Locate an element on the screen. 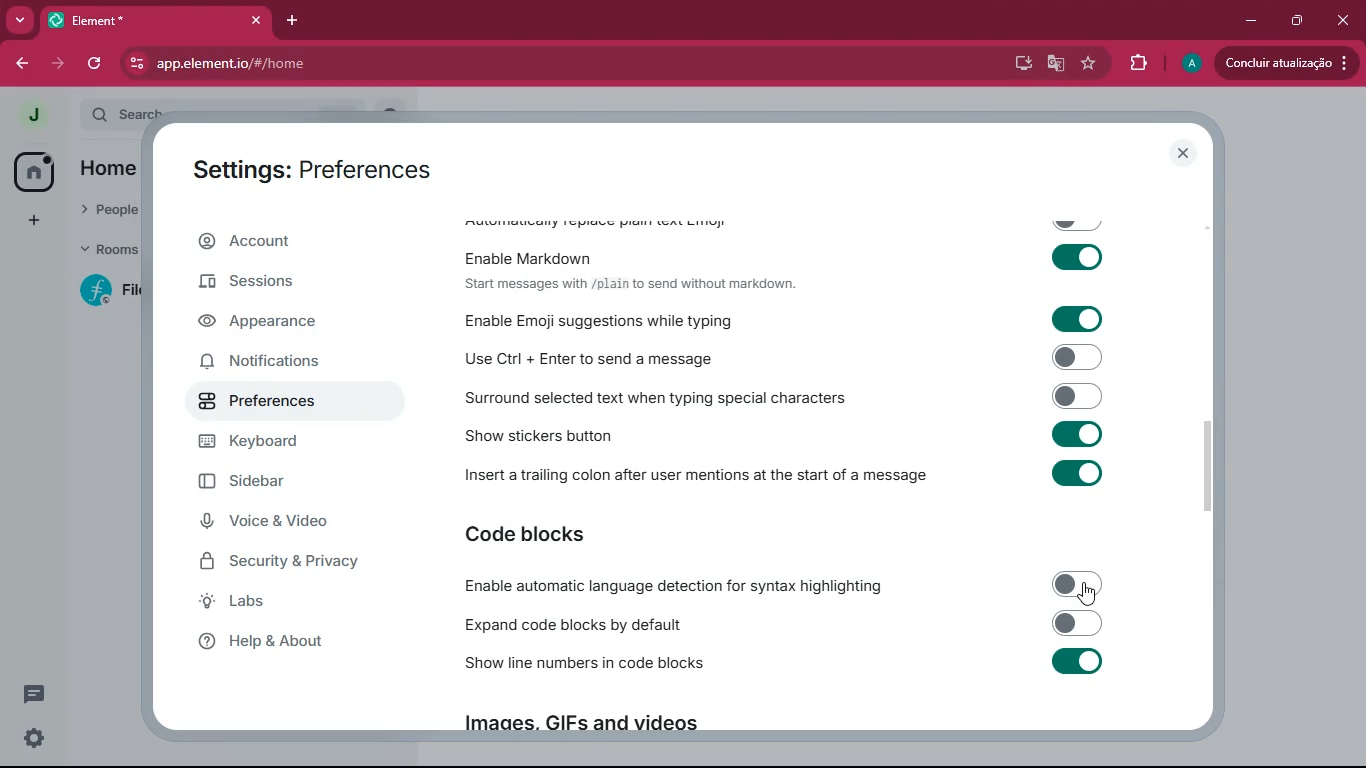  sidebar is located at coordinates (295, 482).